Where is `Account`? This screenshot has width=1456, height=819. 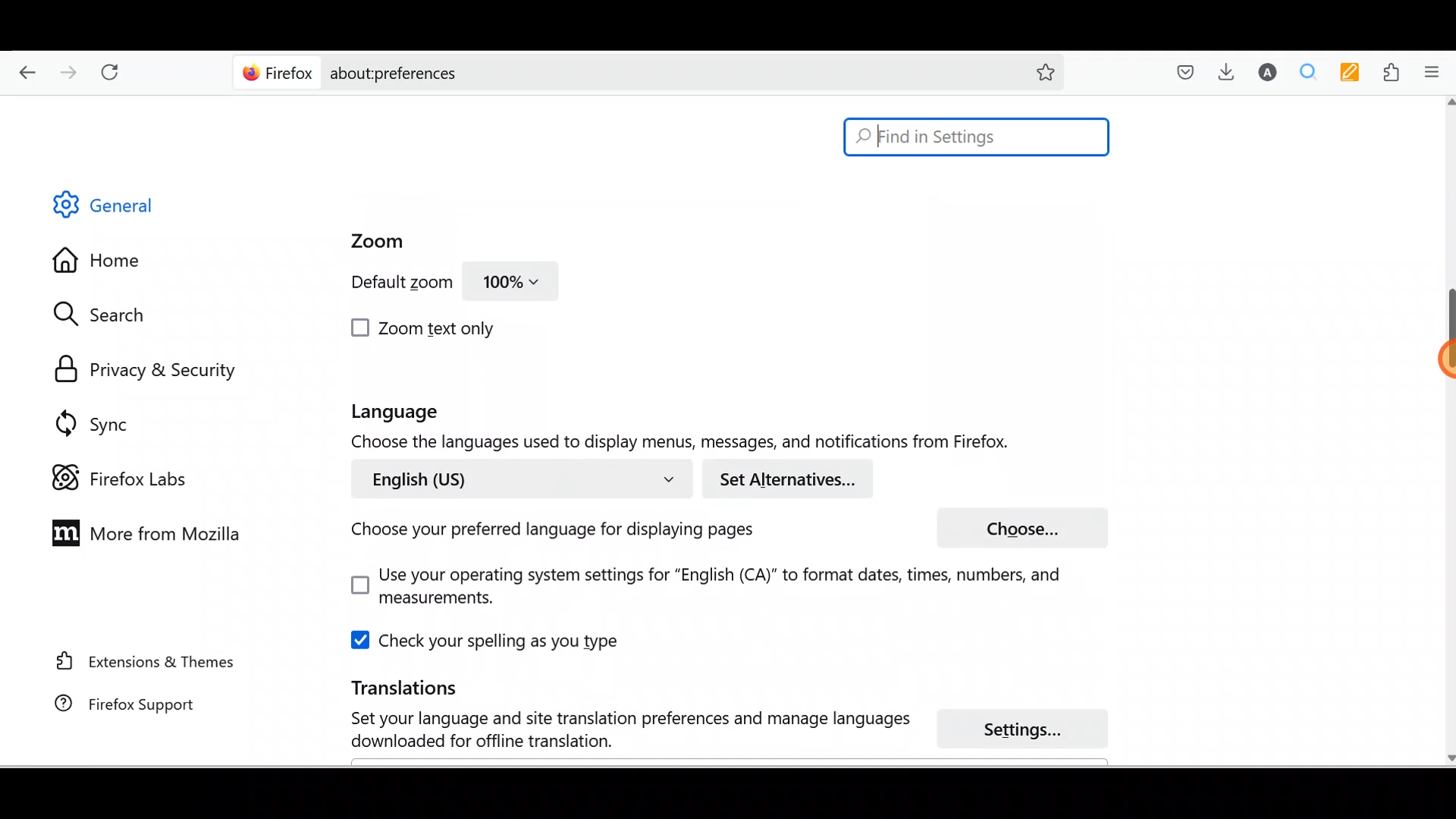 Account is located at coordinates (1264, 72).